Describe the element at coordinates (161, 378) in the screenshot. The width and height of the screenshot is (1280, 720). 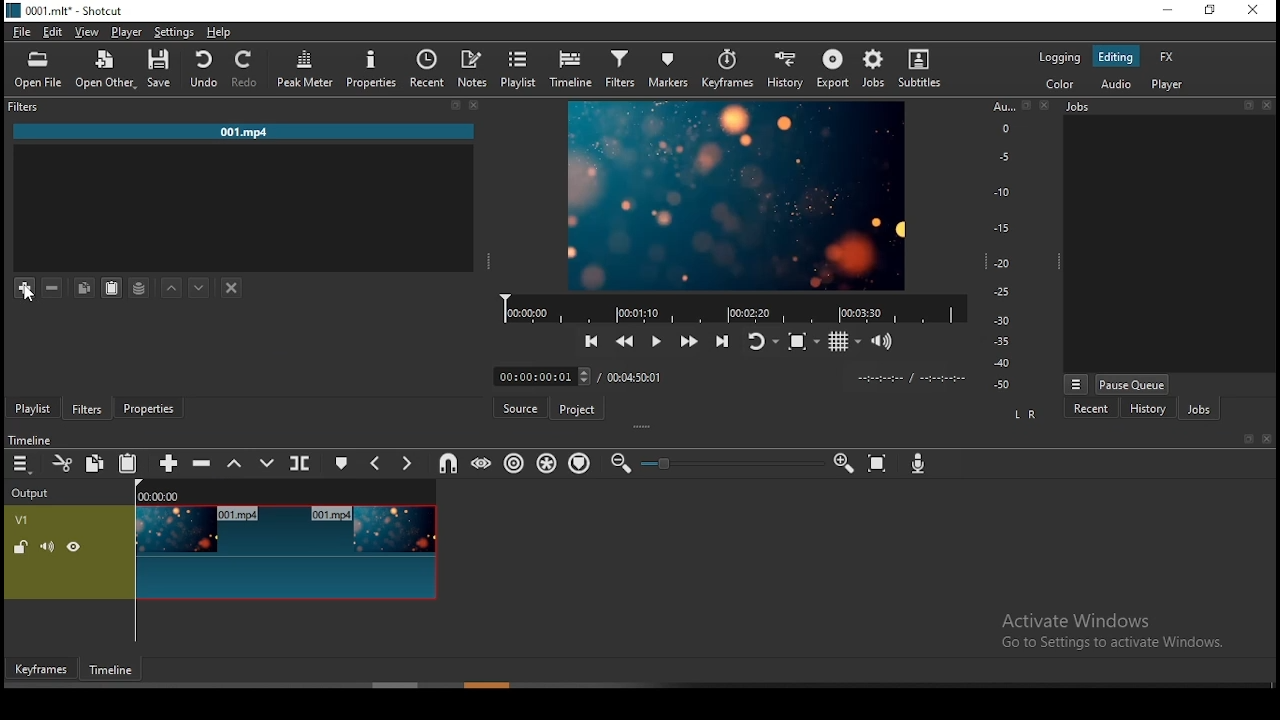
I see `update` at that location.